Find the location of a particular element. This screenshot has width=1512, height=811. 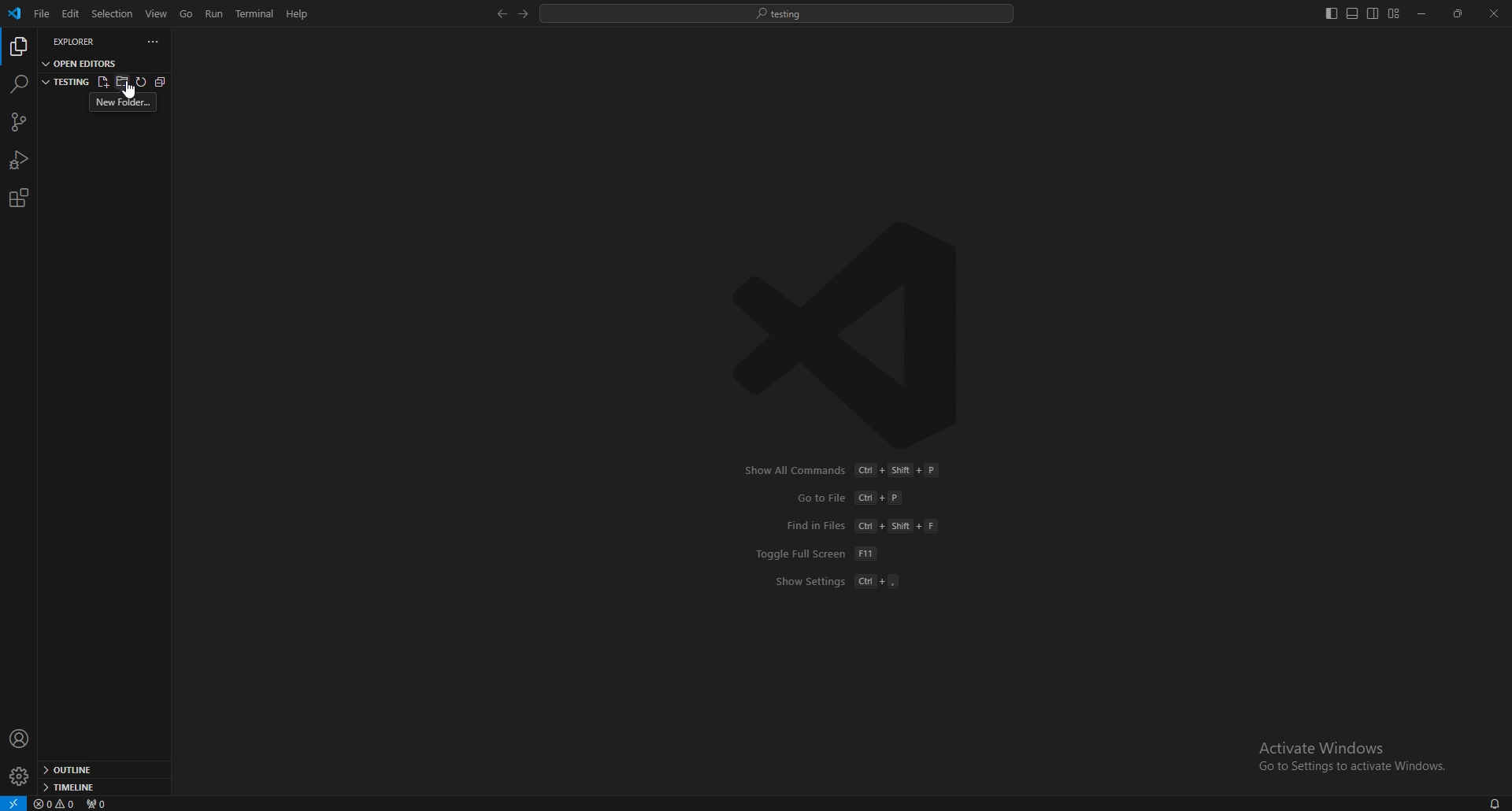

minimize is located at coordinates (1423, 14).